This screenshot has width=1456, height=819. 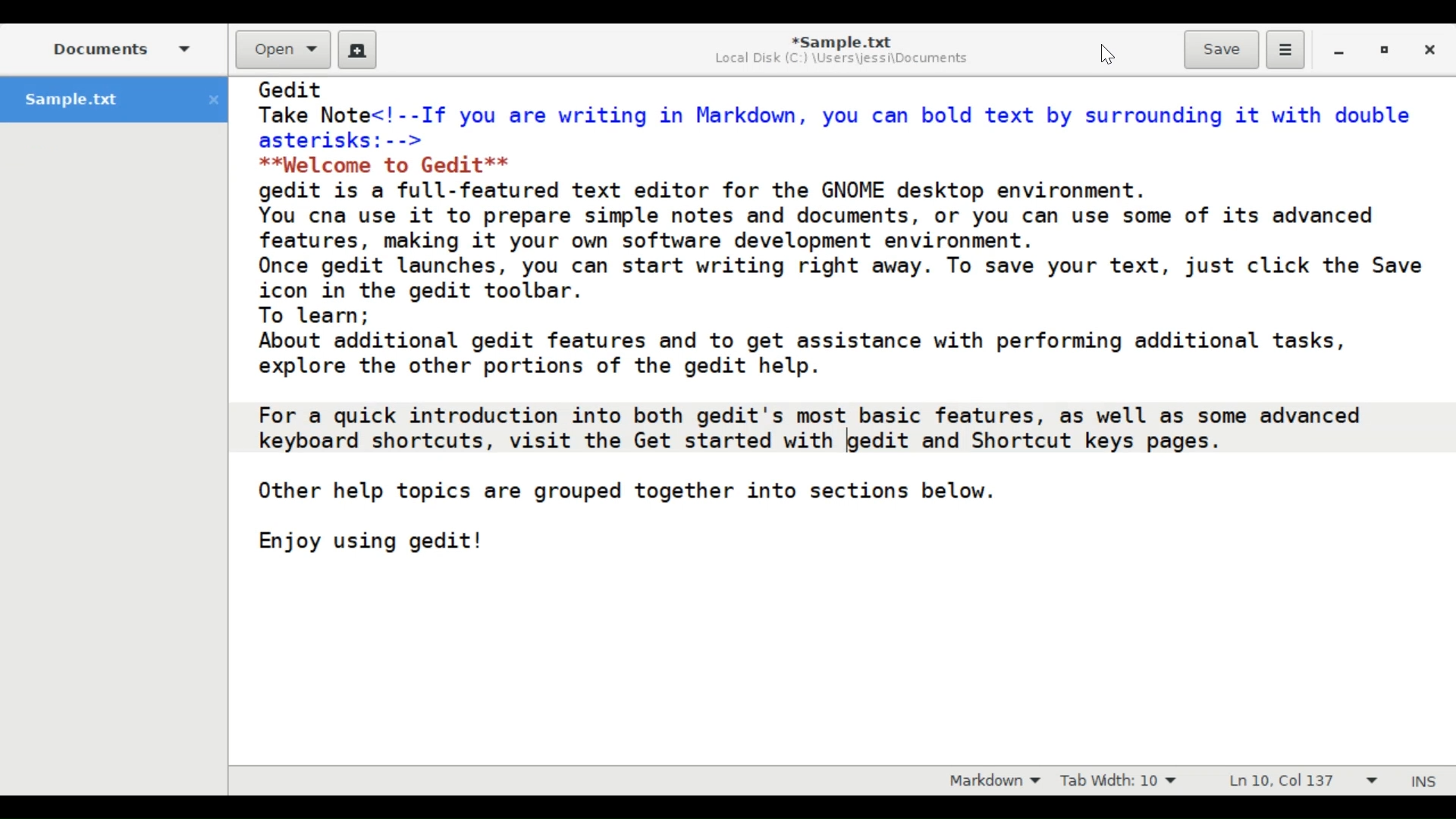 I want to click on Gedit

Take Note<!--If you are writing in Markdown, you can bold text by surrounding it with double
asterisks: -->

**Welcome to Gedit**

gedit is a full-featured text editor for the GNOME desktop environment.

You cna use it to prepare simple notes and documents, or you can use some of its advanced
features, making it your own software development environment.

Once gedit launches, you can start writing right away. To save your text, just click the Save
icon in the gedit toolbar.

To learn;

About additional gedit features and to get assistance with performing additional tasks,
explore the other portions of the gedit help.

For a quick introduction into both gedit's most basic features, as well as some advanced
keyboard shortcuts, visit the Get started with gedit and Shortcut keys pages.

Other help topics are grouped together into sections below.

Enjoy using gedit!, so click(x=845, y=330).